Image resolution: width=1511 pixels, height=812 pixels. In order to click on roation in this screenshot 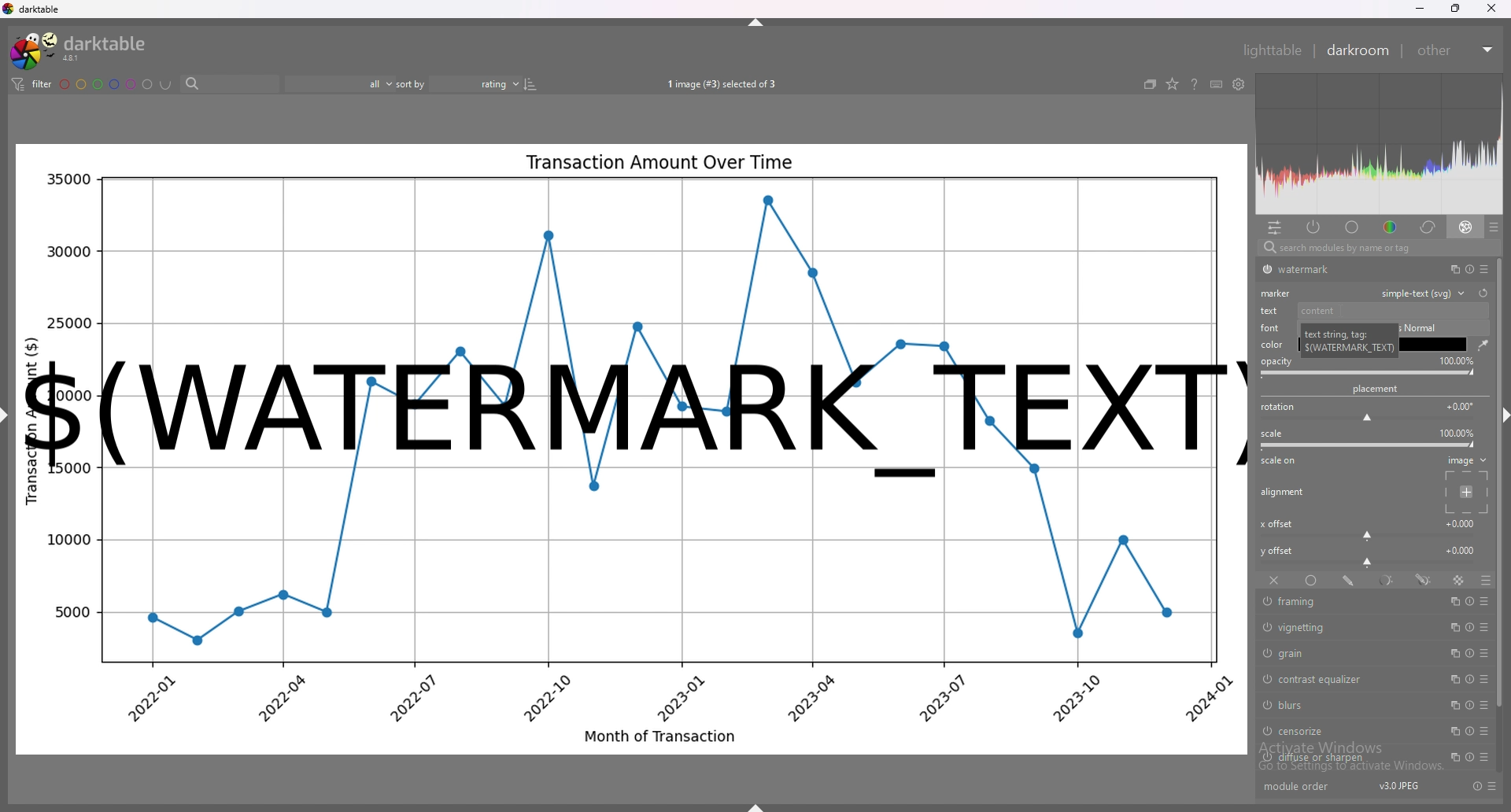, I will do `click(1277, 408)`.